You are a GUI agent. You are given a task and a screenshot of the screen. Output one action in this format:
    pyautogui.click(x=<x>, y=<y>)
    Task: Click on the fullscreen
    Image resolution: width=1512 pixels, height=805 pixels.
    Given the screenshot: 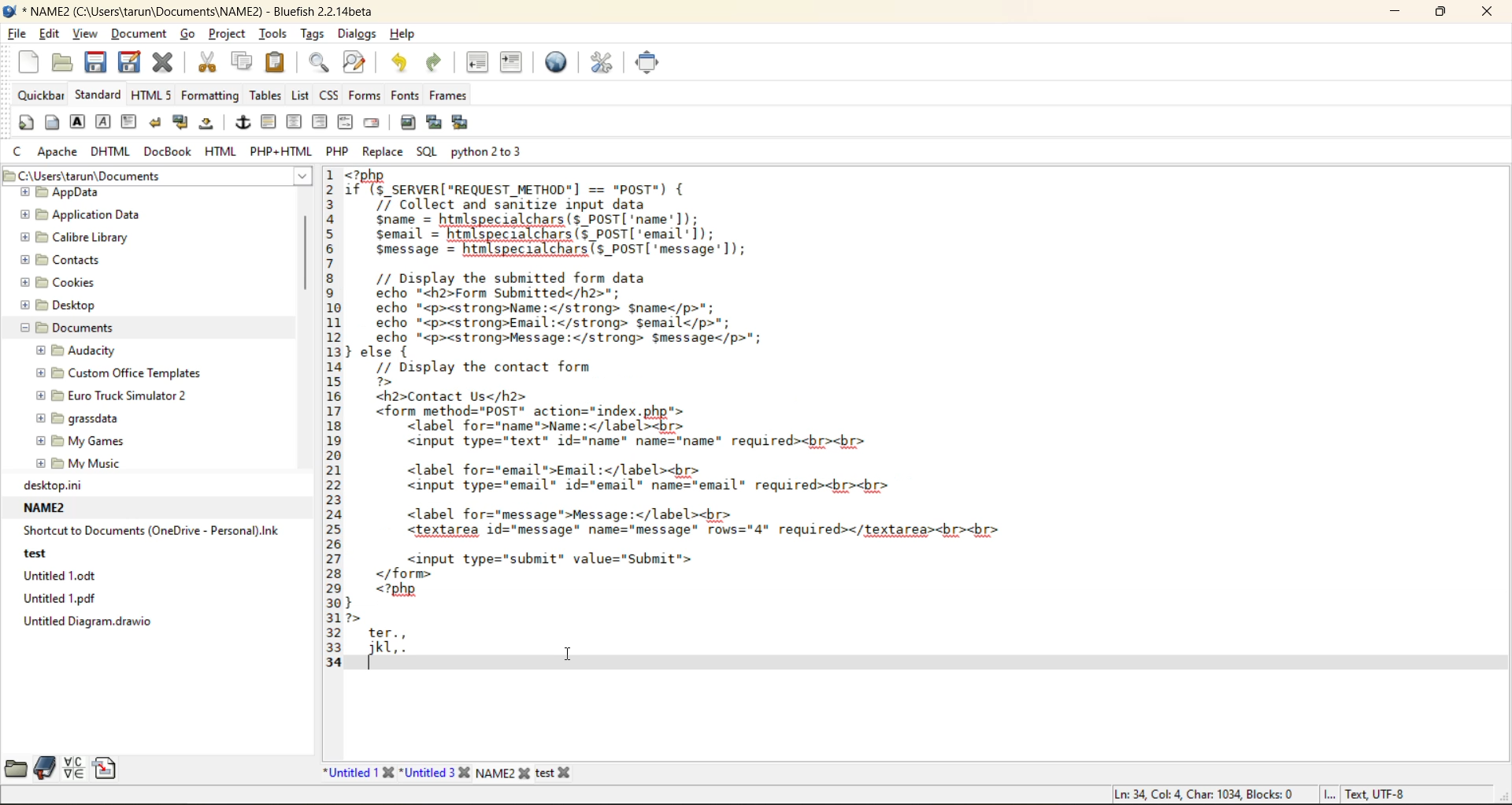 What is the action you would take?
    pyautogui.click(x=652, y=63)
    